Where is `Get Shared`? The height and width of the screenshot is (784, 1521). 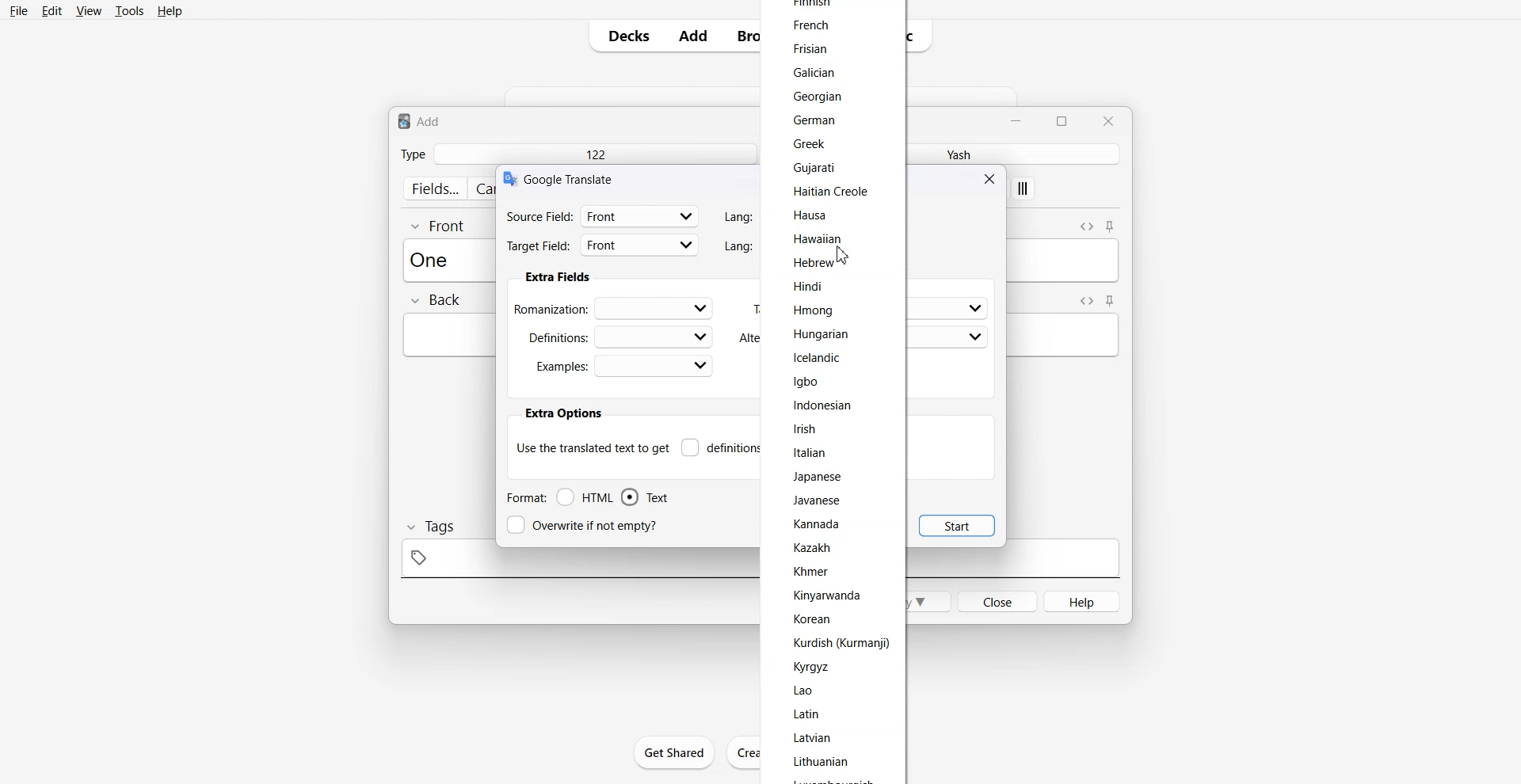
Get Shared is located at coordinates (675, 752).